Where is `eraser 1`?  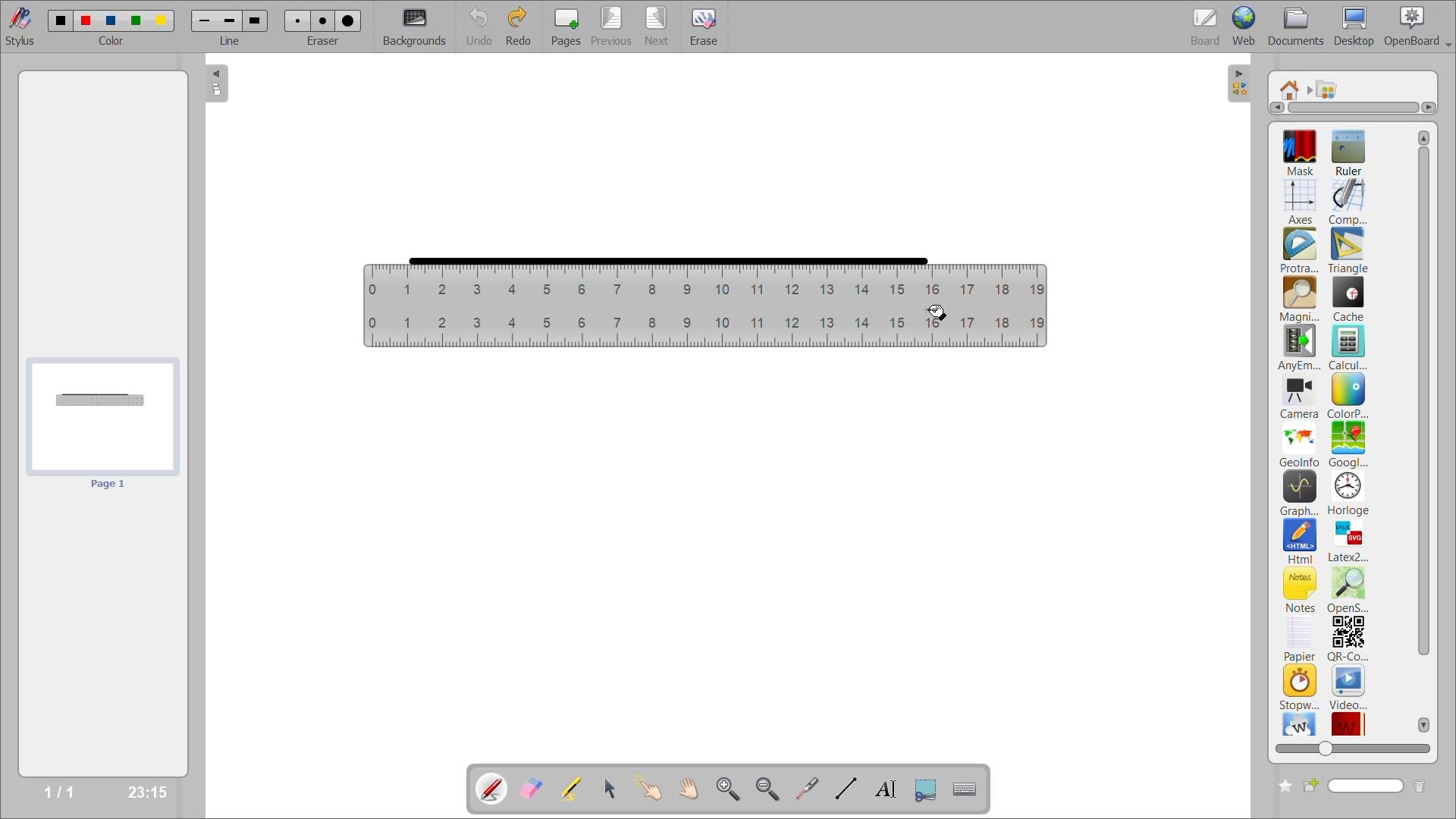
eraser 1 is located at coordinates (298, 20).